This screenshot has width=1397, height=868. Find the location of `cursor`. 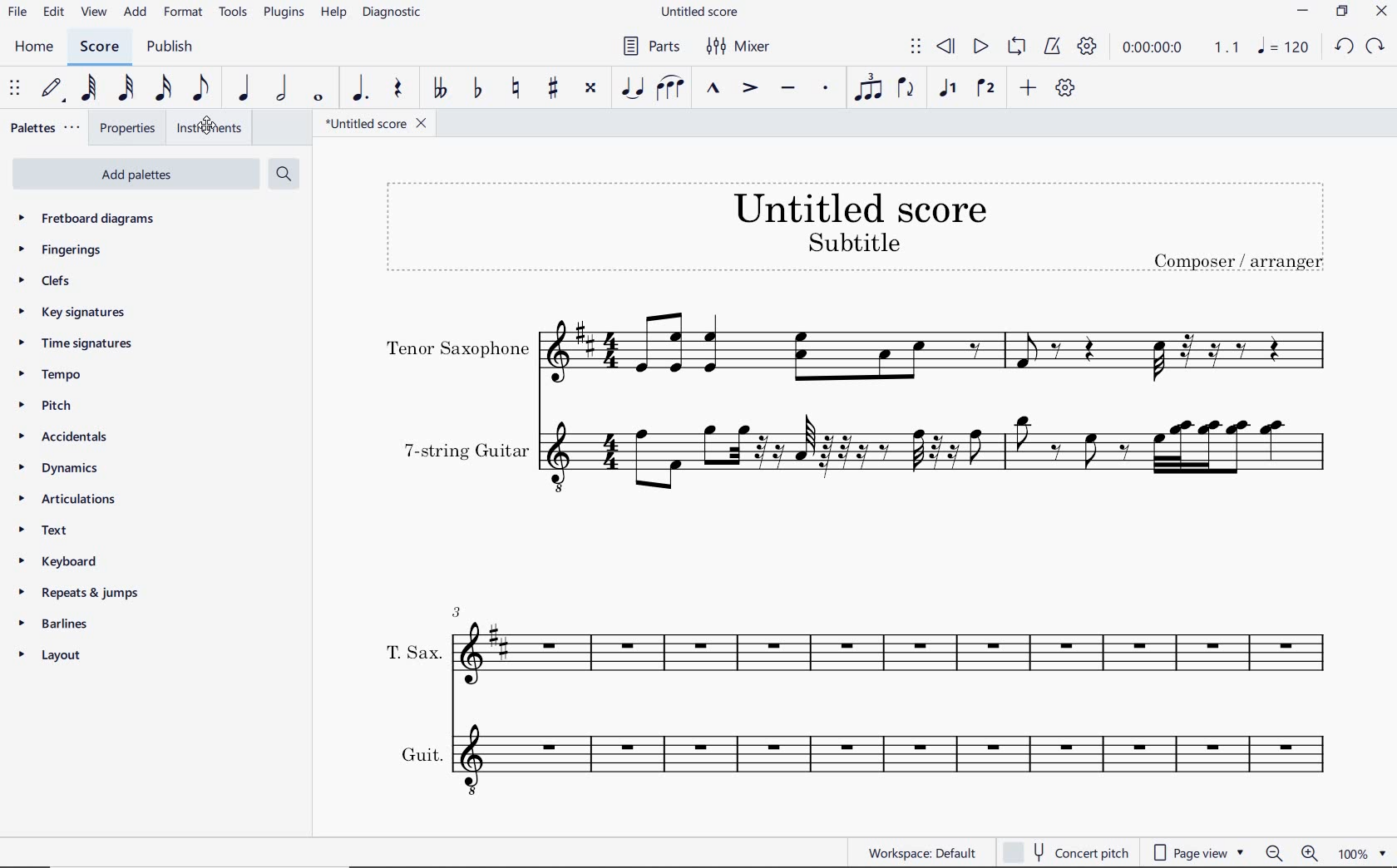

cursor is located at coordinates (207, 127).